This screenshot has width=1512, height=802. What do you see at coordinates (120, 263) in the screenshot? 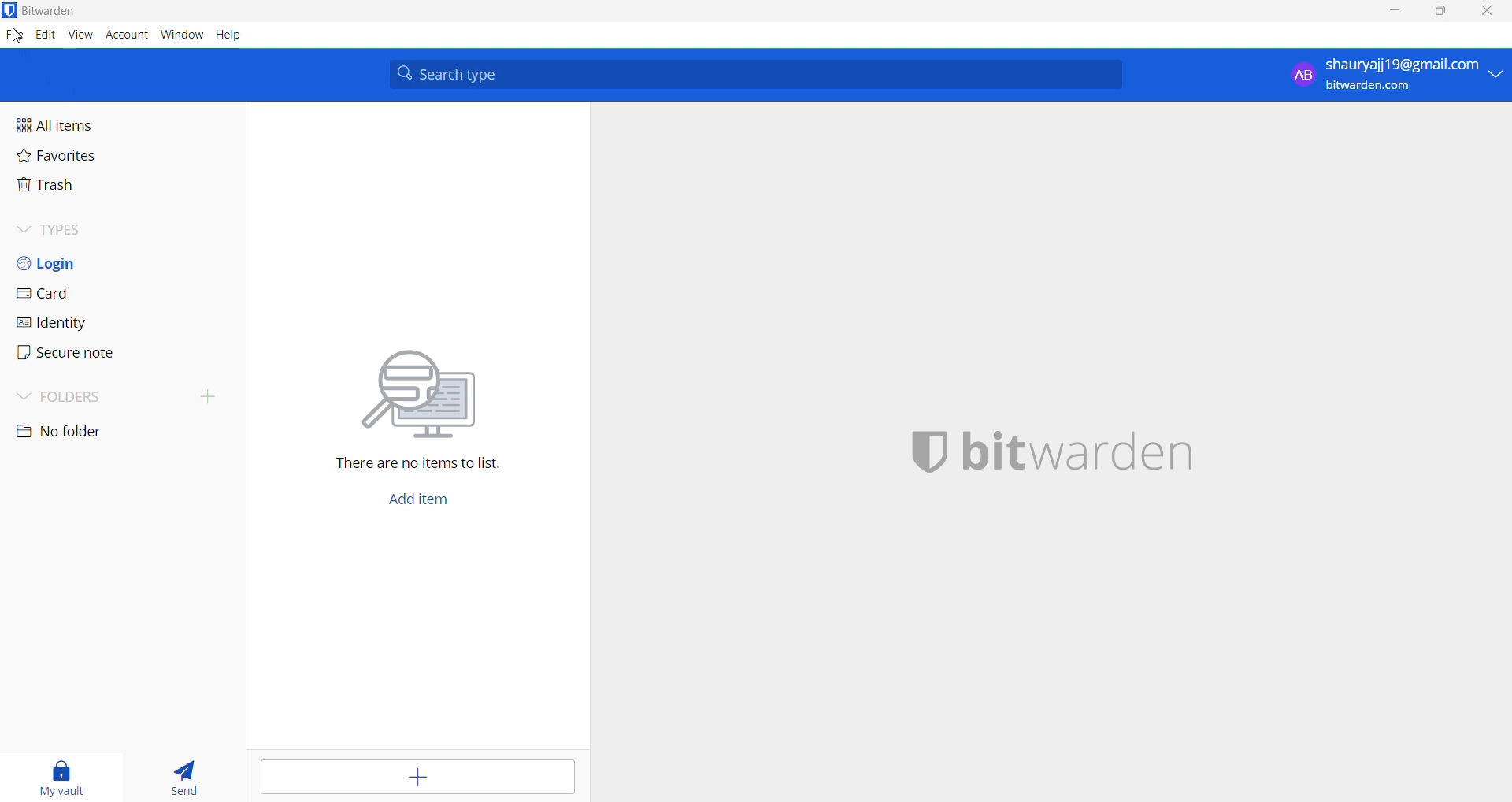
I see `login` at bounding box center [120, 263].